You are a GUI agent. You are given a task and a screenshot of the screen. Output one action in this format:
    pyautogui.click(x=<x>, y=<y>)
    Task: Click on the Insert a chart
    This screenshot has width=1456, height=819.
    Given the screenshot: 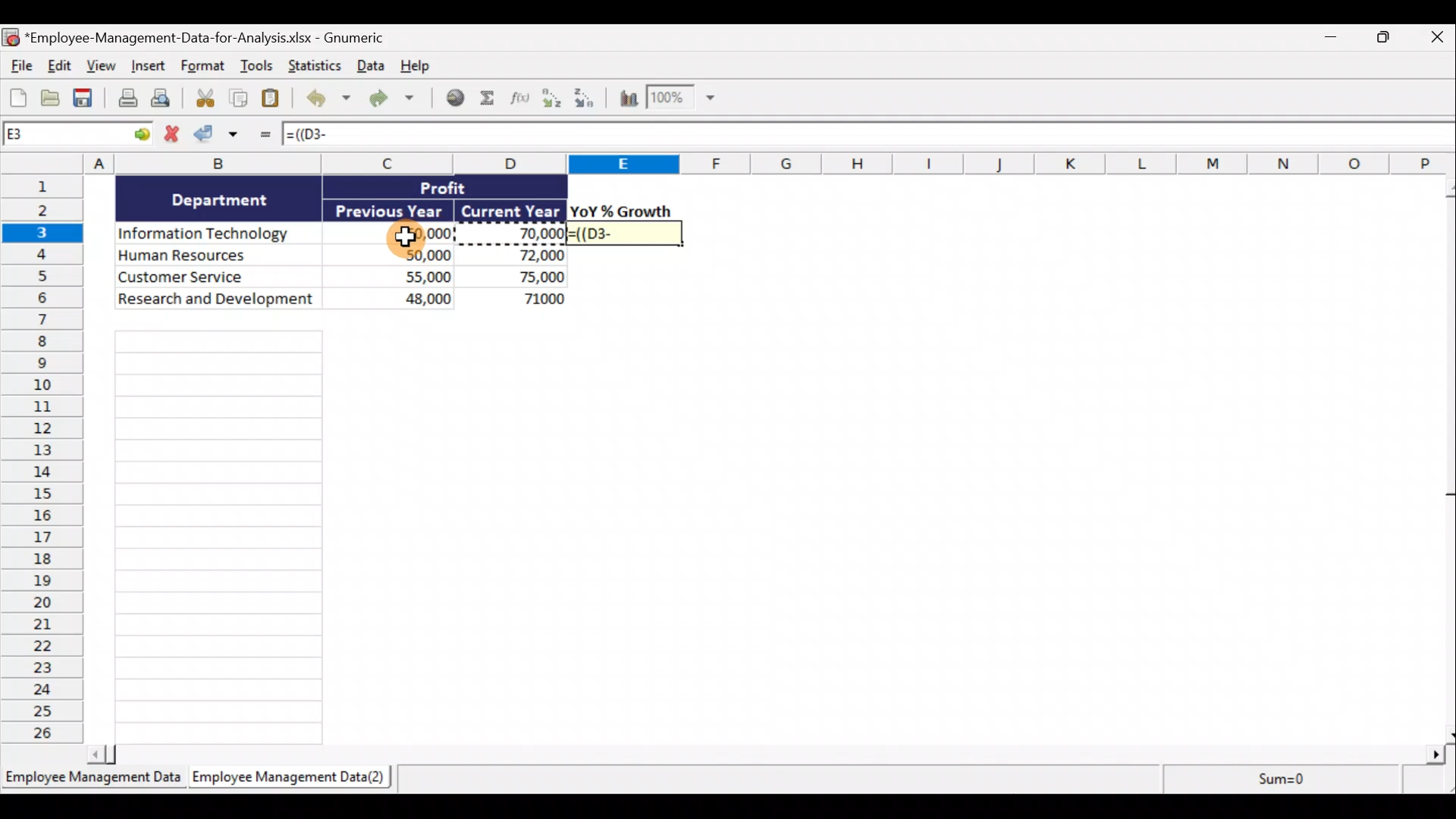 What is the action you would take?
    pyautogui.click(x=627, y=101)
    